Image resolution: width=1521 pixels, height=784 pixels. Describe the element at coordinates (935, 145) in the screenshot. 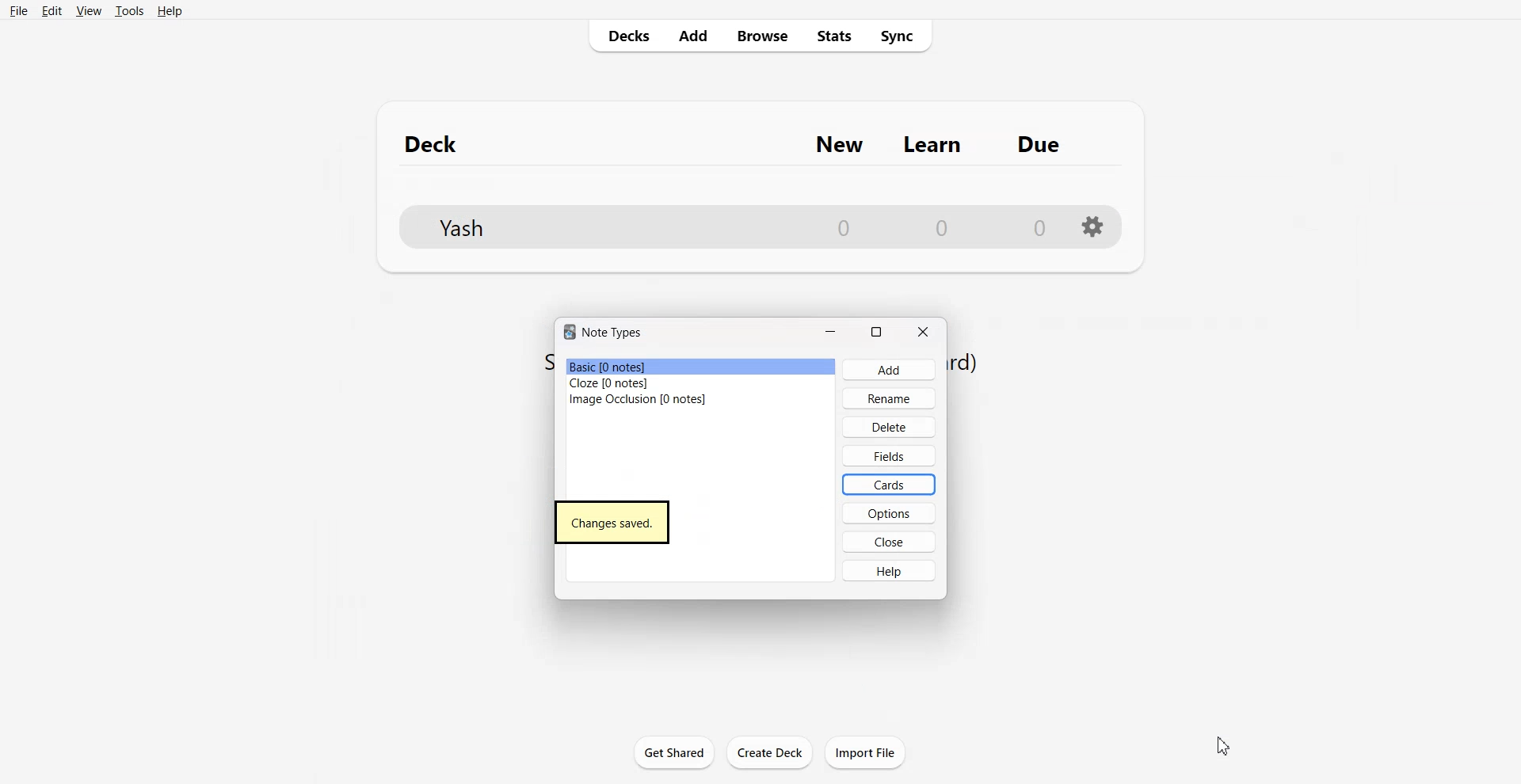

I see `Learn` at that location.